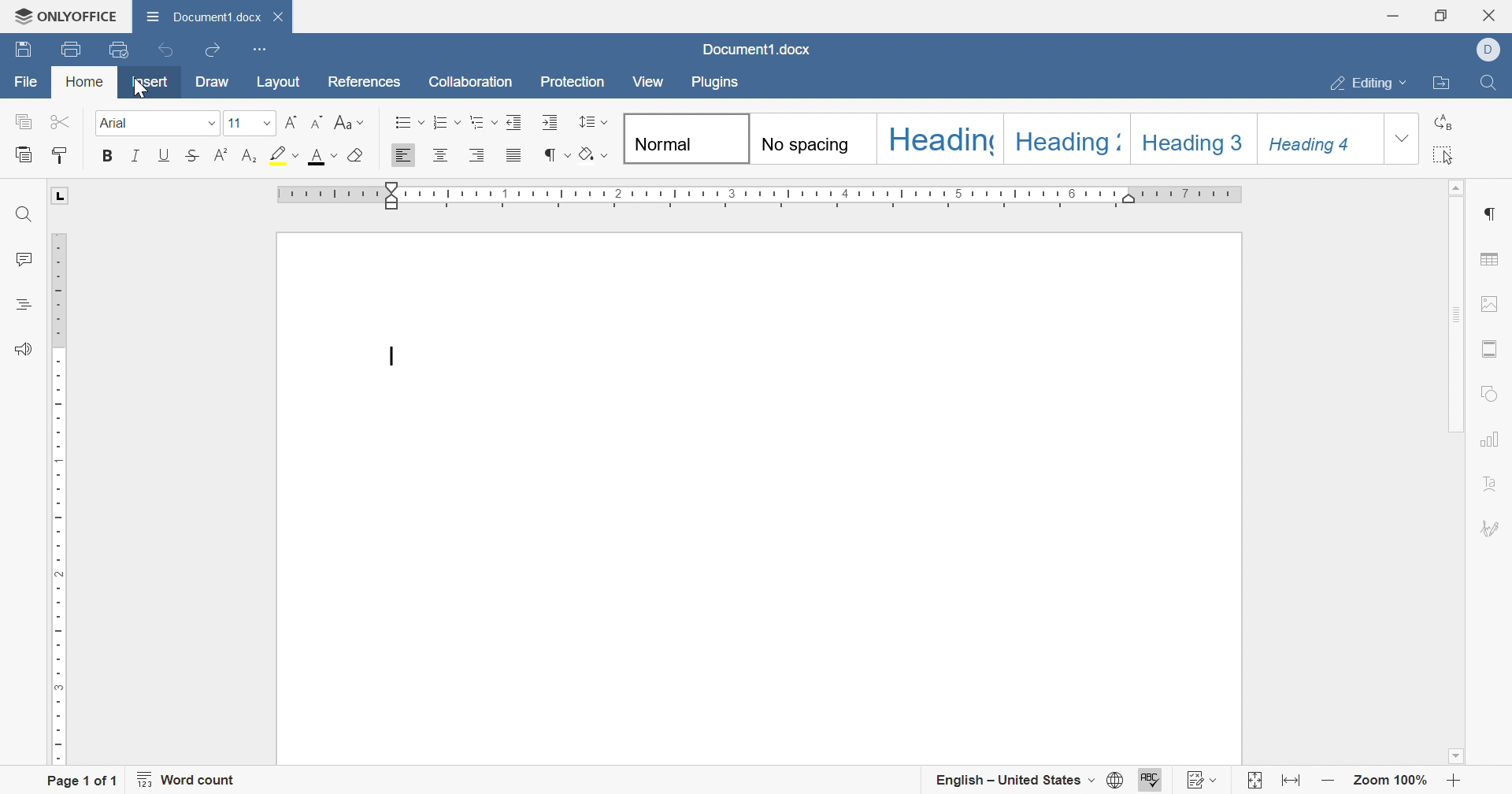  I want to click on Signature settings, so click(1495, 527).